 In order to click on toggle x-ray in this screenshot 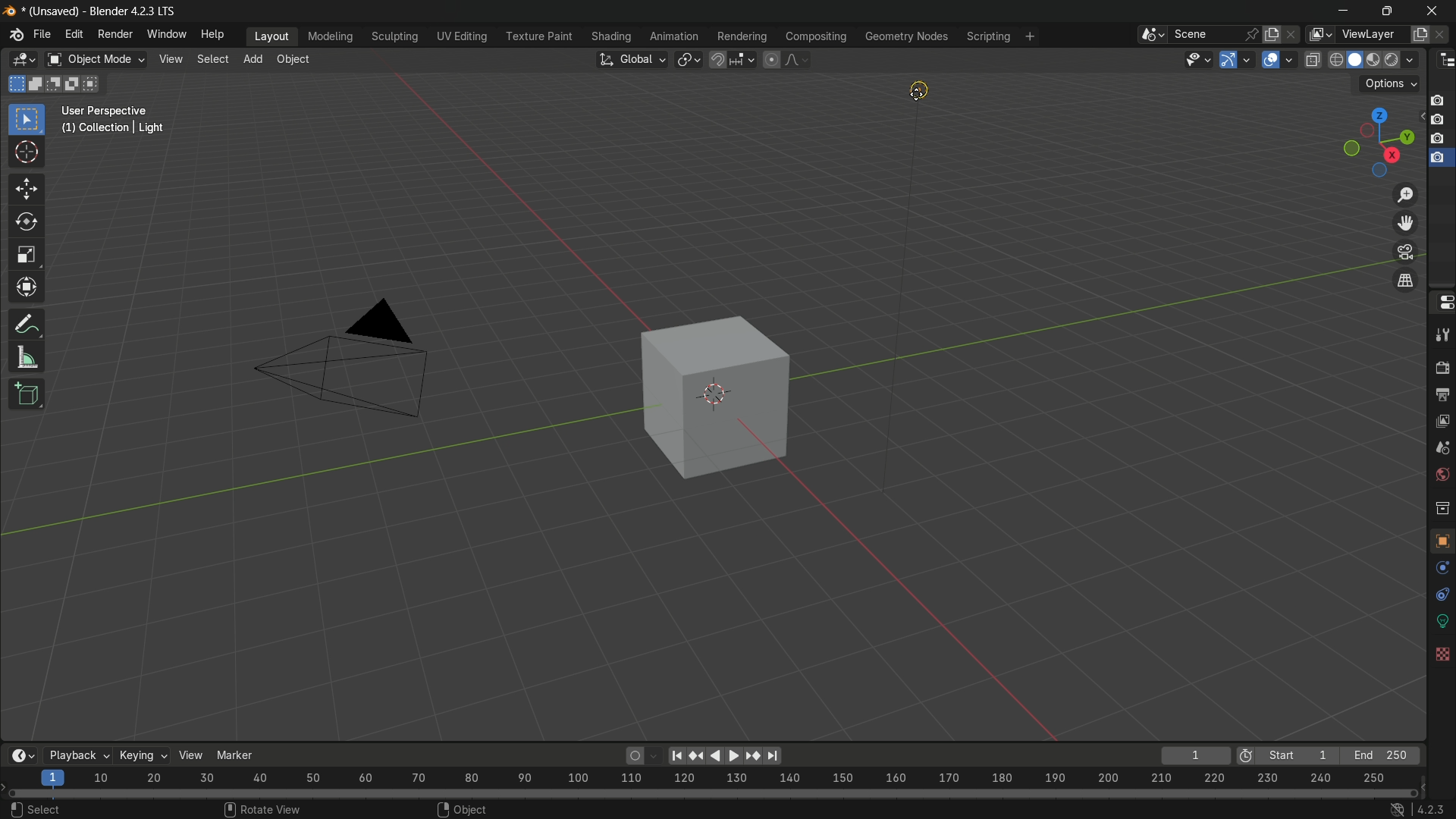, I will do `click(1313, 61)`.